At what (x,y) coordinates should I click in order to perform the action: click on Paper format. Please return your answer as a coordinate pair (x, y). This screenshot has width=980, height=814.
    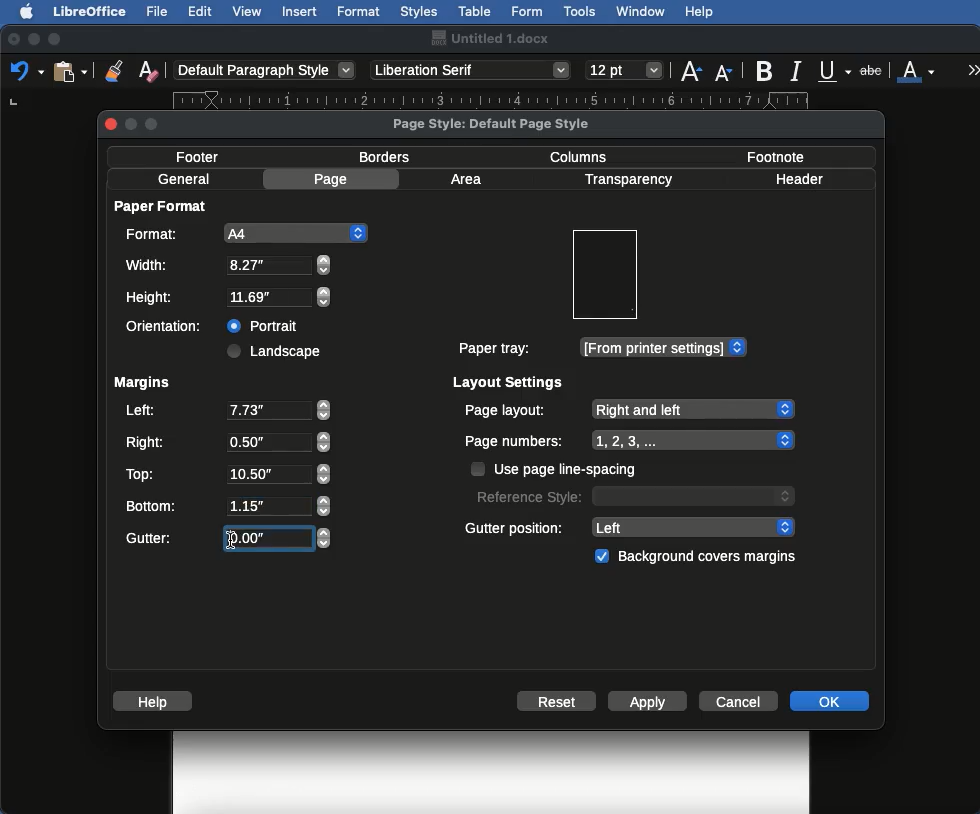
    Looking at the image, I should click on (162, 205).